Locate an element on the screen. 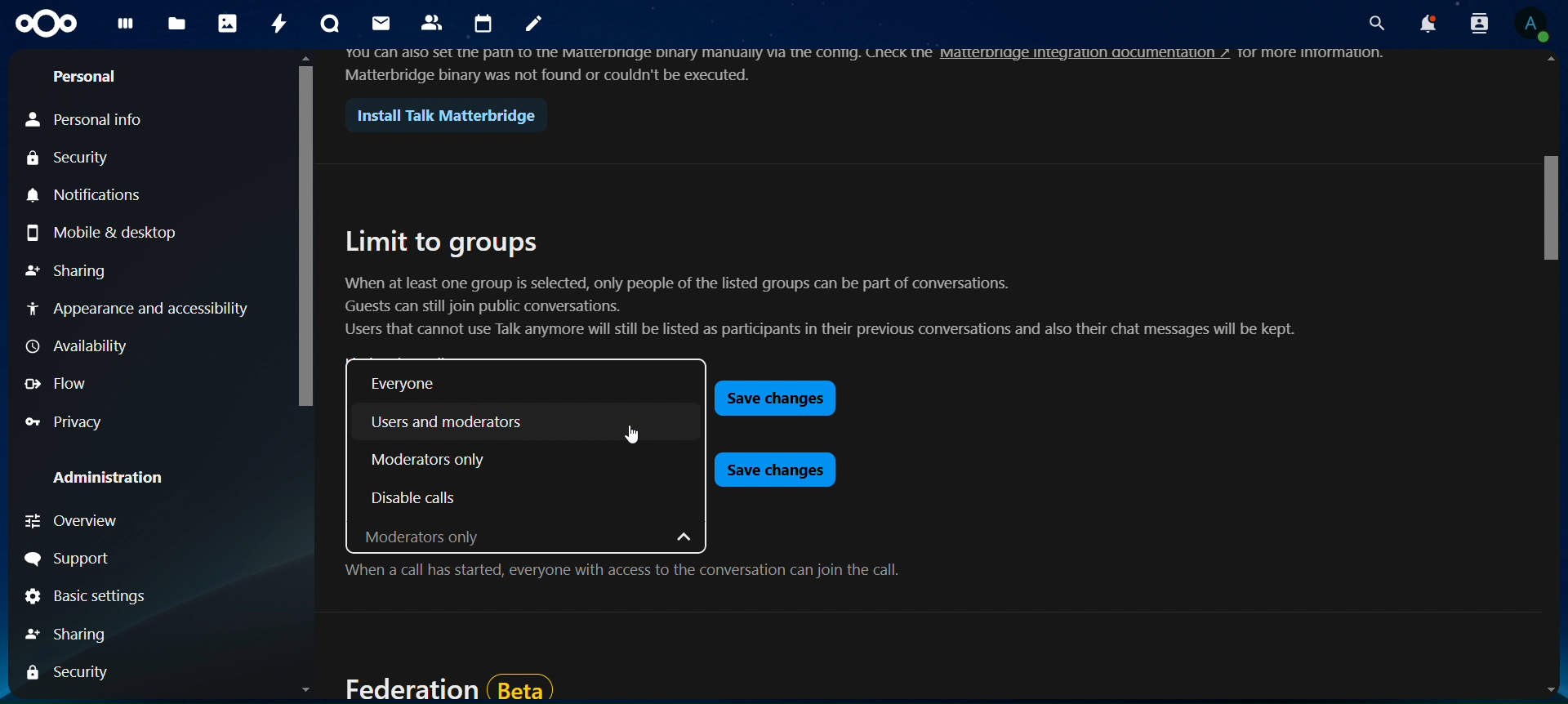 Image resolution: width=1568 pixels, height=704 pixels. files is located at coordinates (177, 21).